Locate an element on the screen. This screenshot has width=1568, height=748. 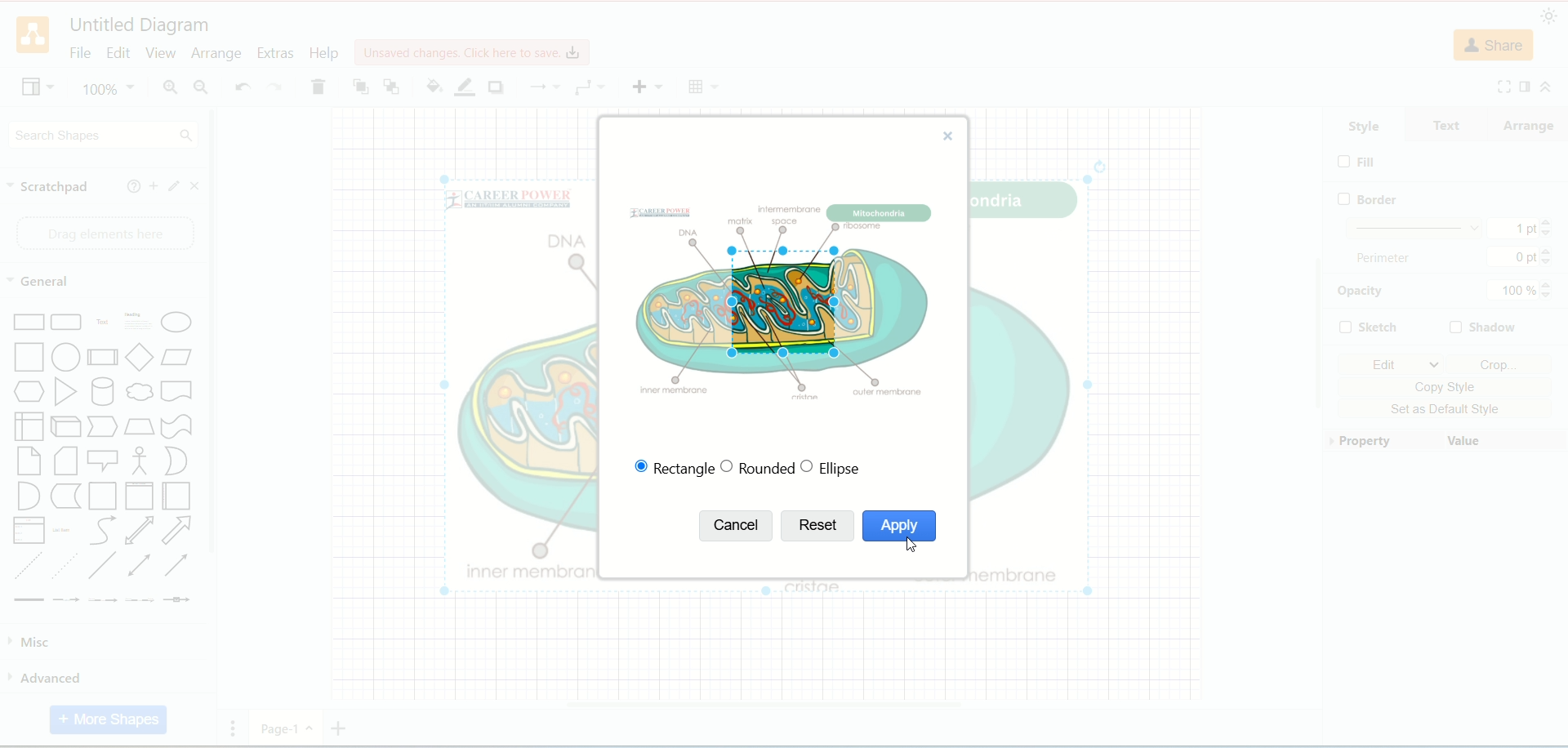
Arrow is located at coordinates (177, 532).